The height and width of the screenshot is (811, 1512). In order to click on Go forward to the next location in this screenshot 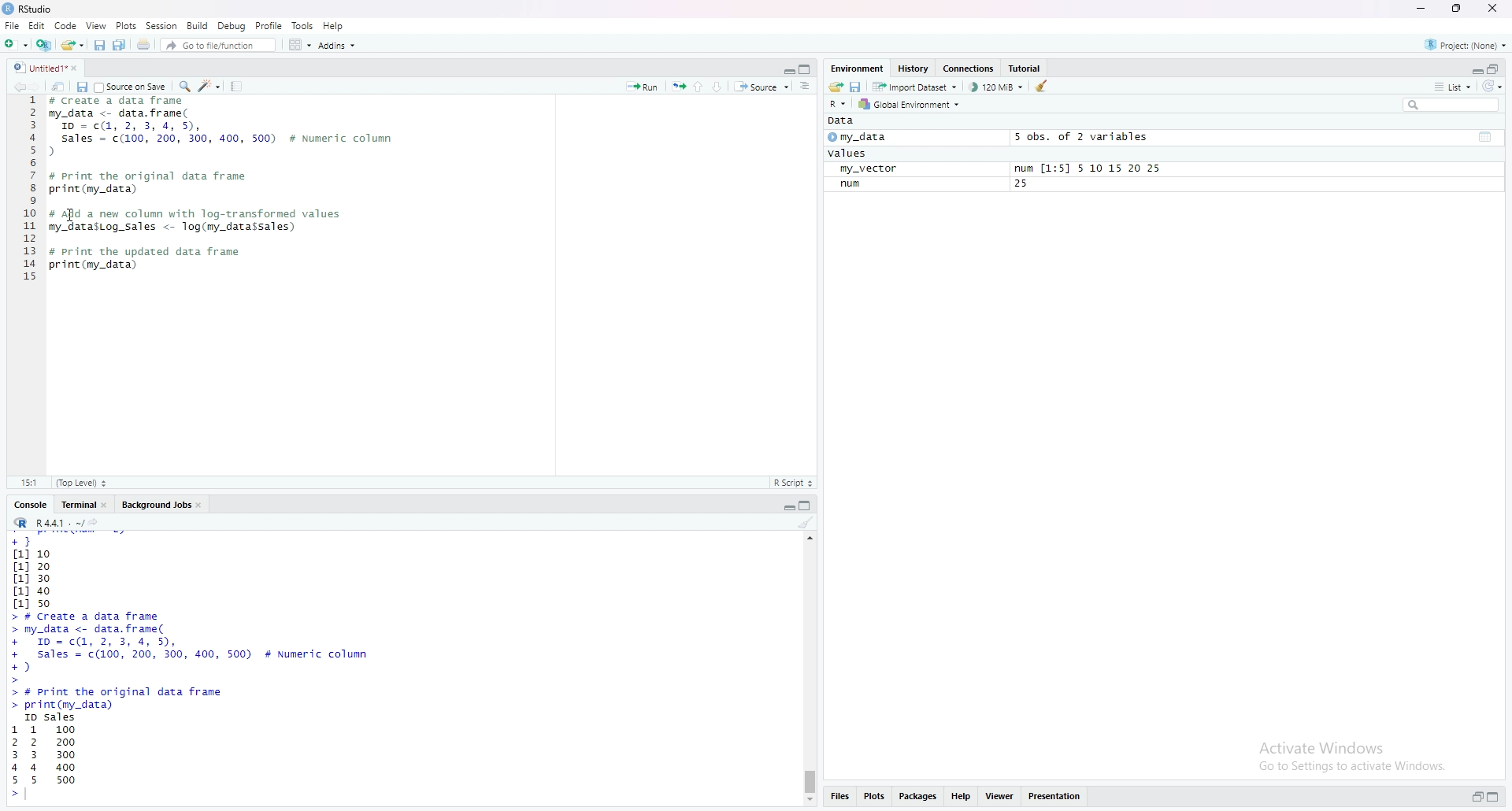, I will do `click(38, 88)`.